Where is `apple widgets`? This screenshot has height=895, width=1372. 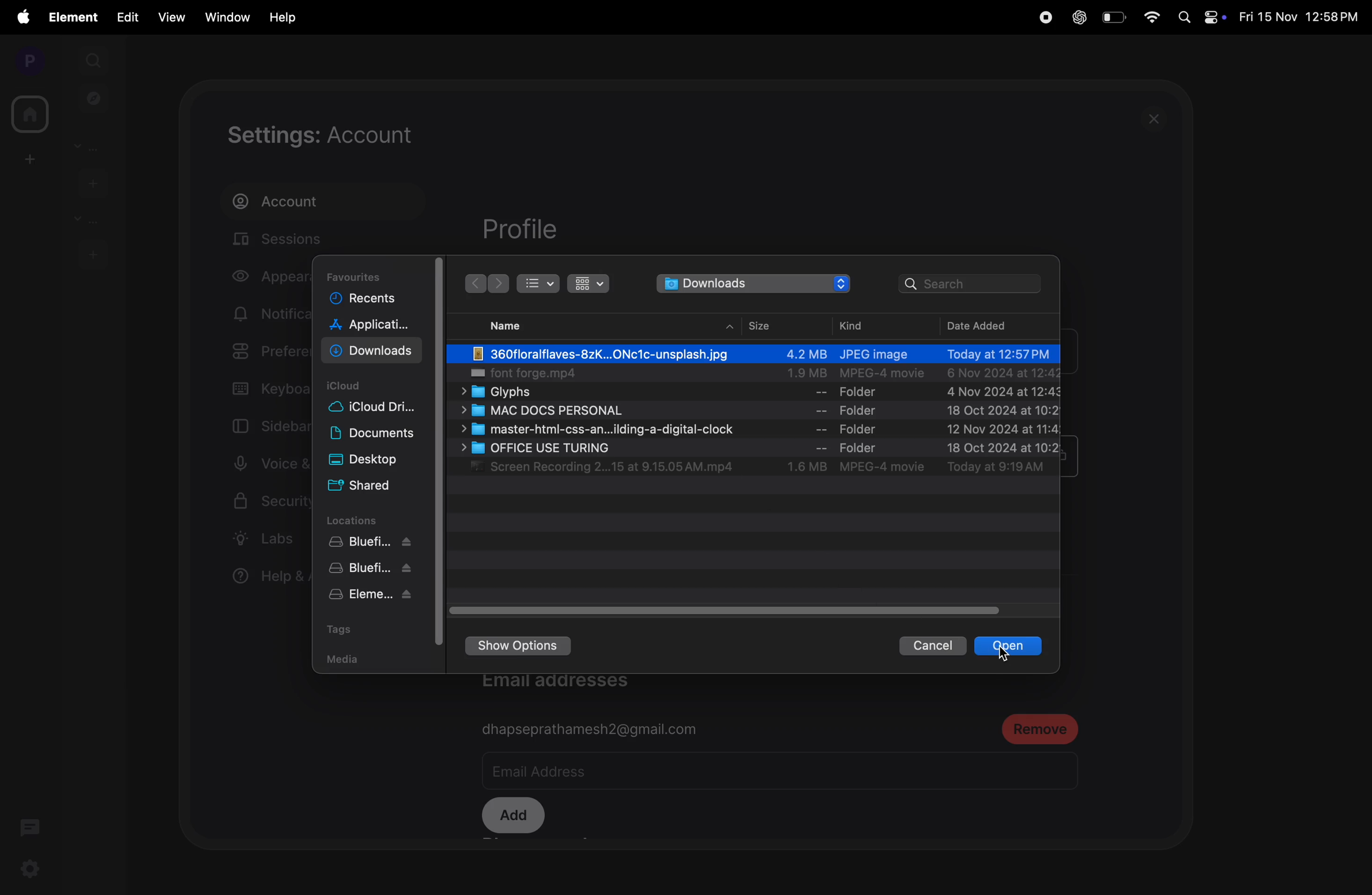
apple widgets is located at coordinates (1201, 16).